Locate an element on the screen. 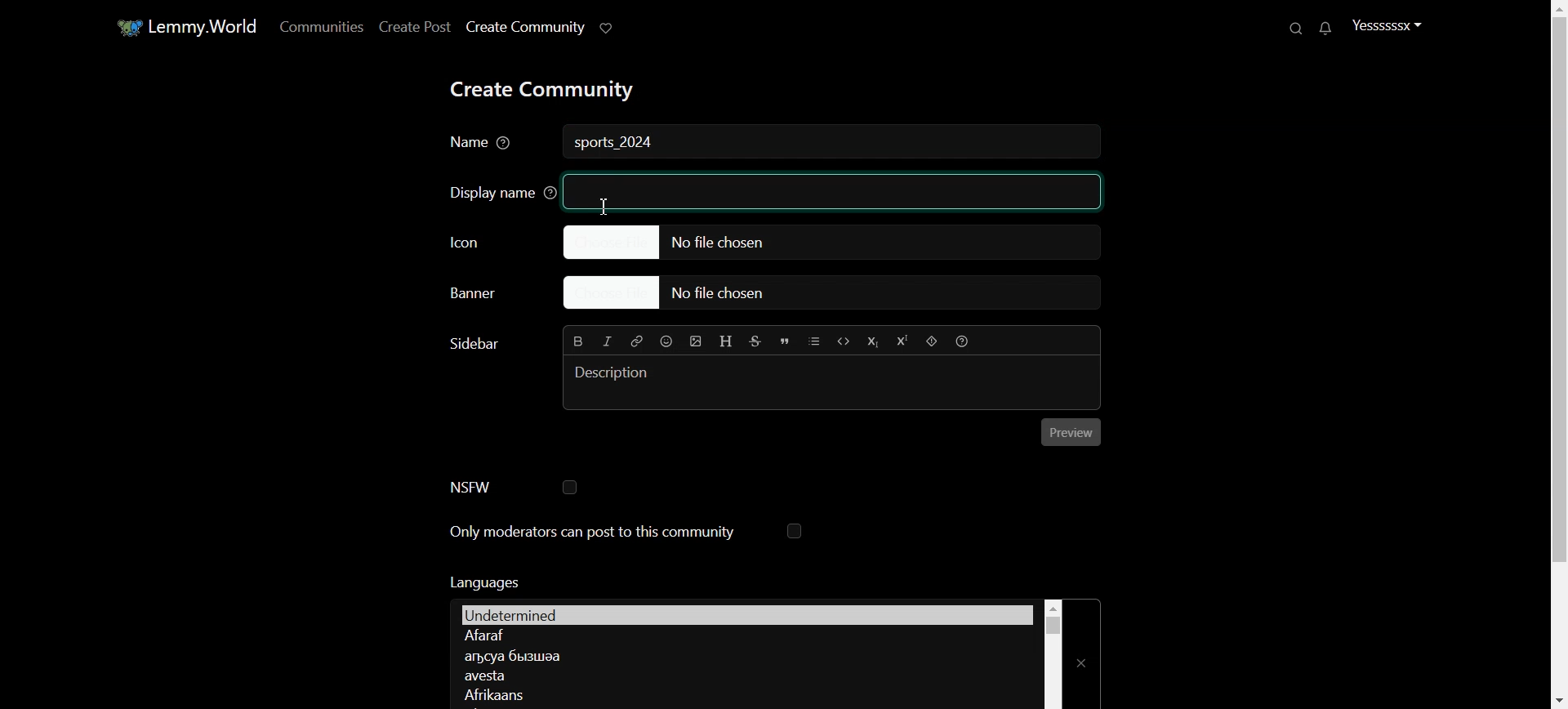  Hyperlink is located at coordinates (635, 341).